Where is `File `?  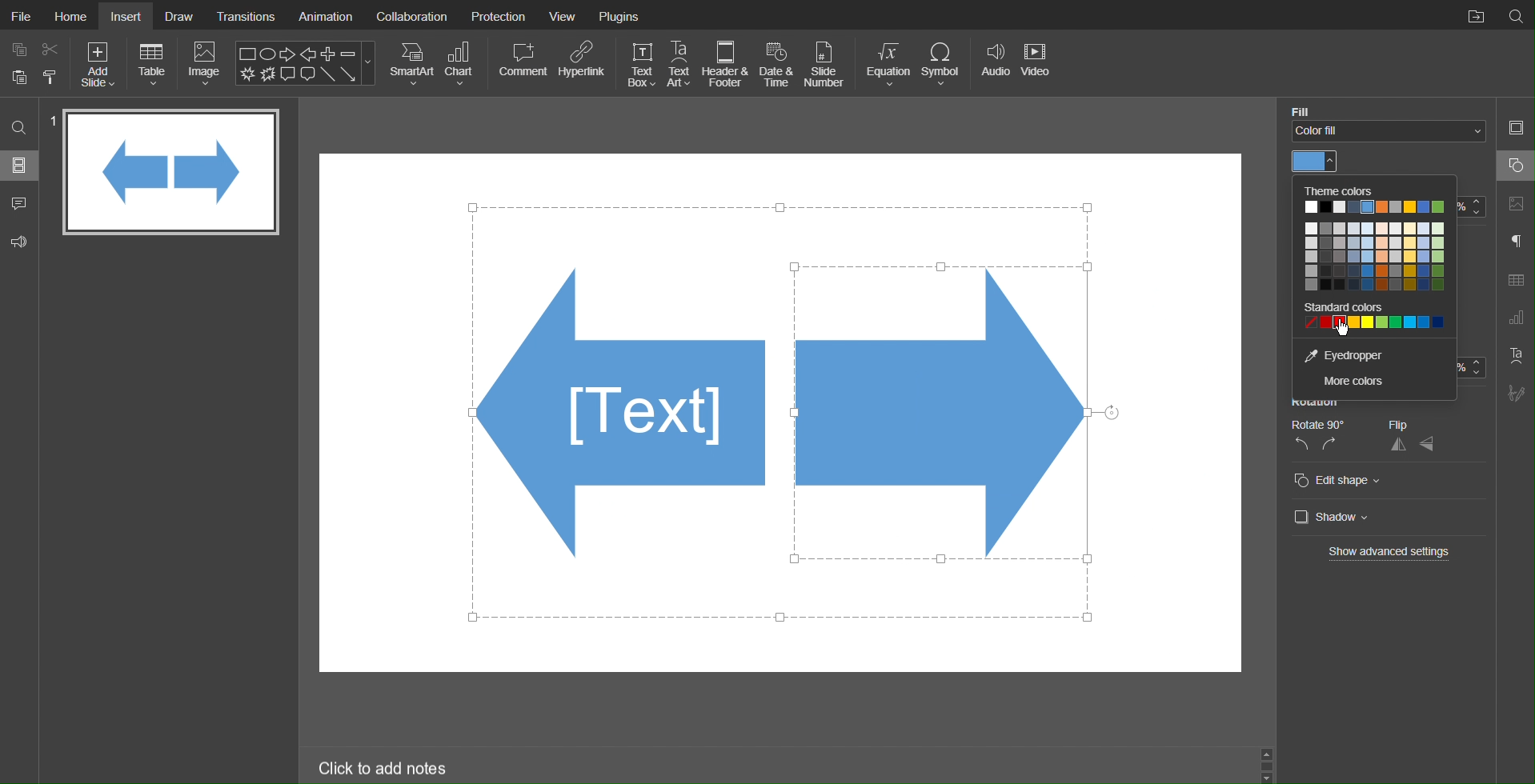
File  is located at coordinates (19, 14).